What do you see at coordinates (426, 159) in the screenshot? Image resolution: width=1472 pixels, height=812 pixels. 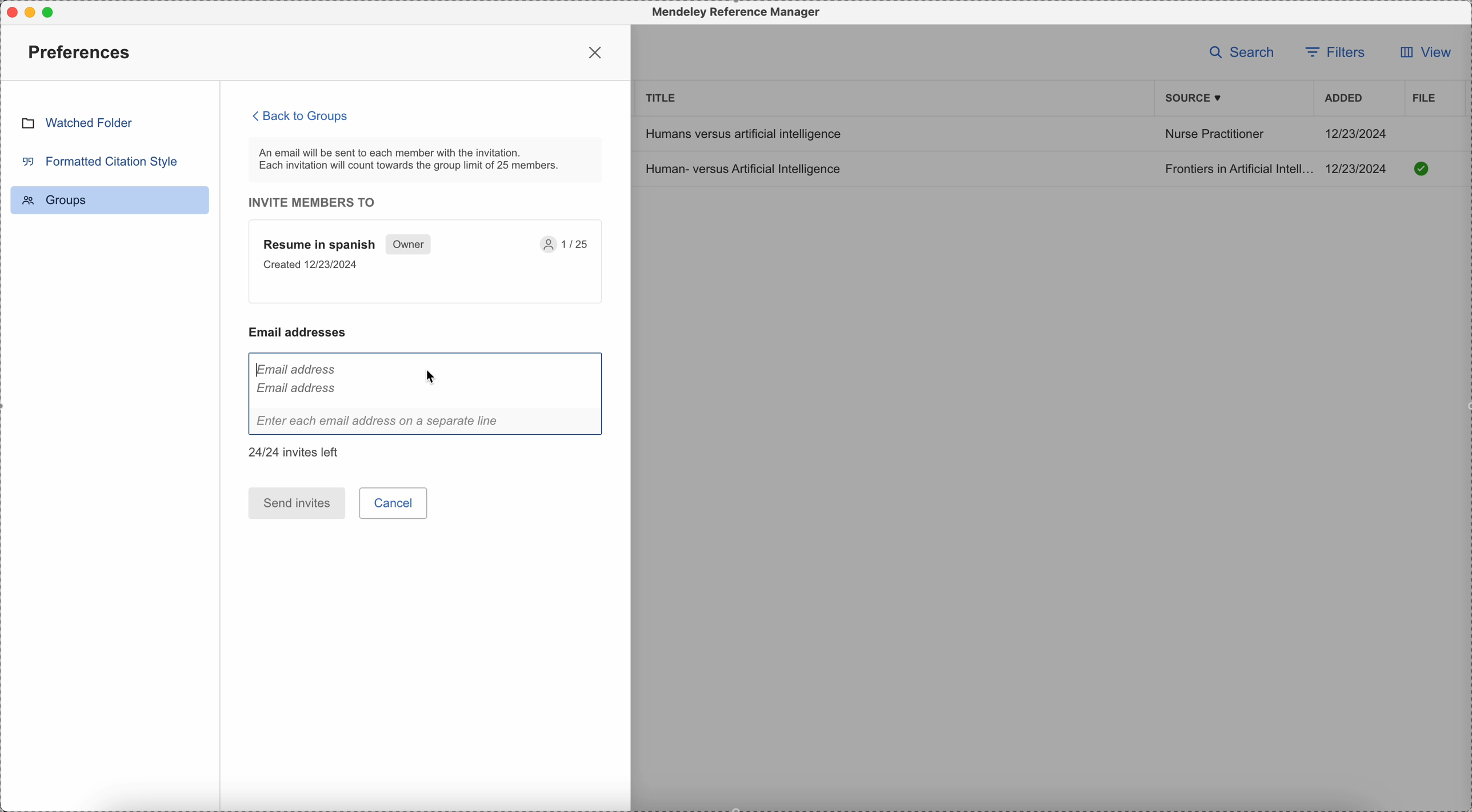 I see `An email will be sent to each member with the invitation. Each invitation will count towards the group limit of 25 members.` at bounding box center [426, 159].